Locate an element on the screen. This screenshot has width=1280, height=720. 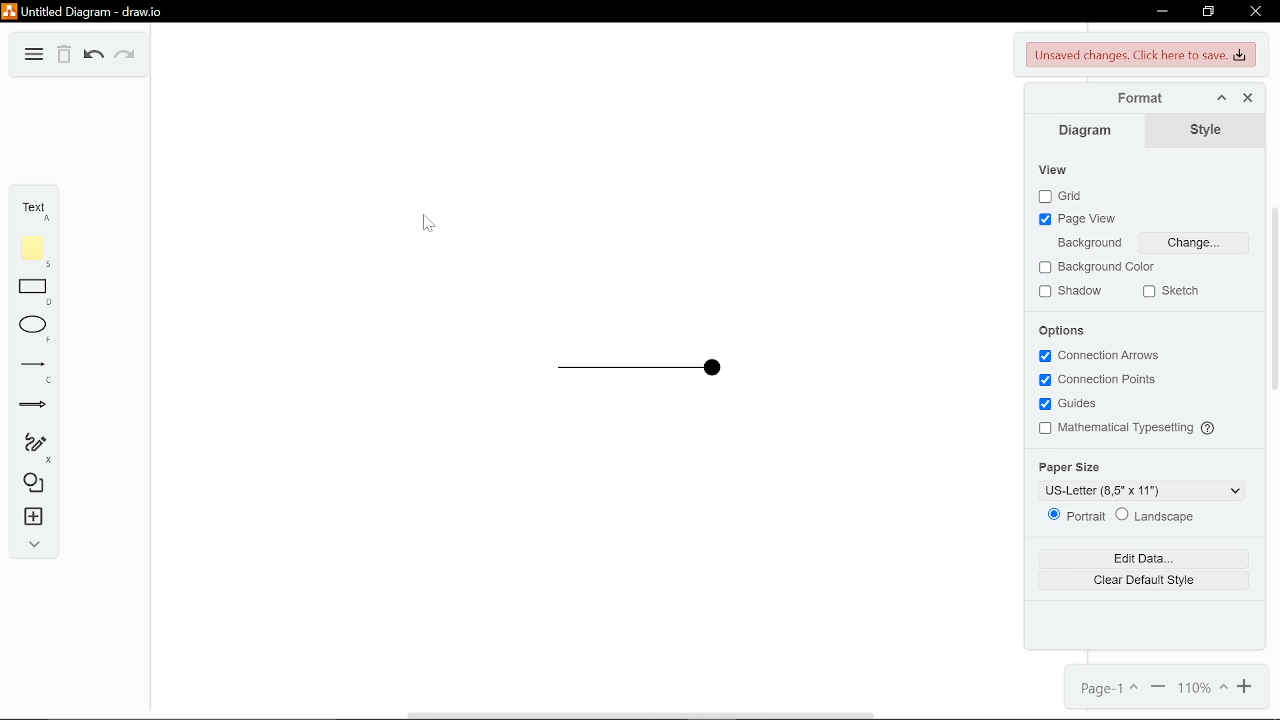
Page view is located at coordinates (1081, 221).